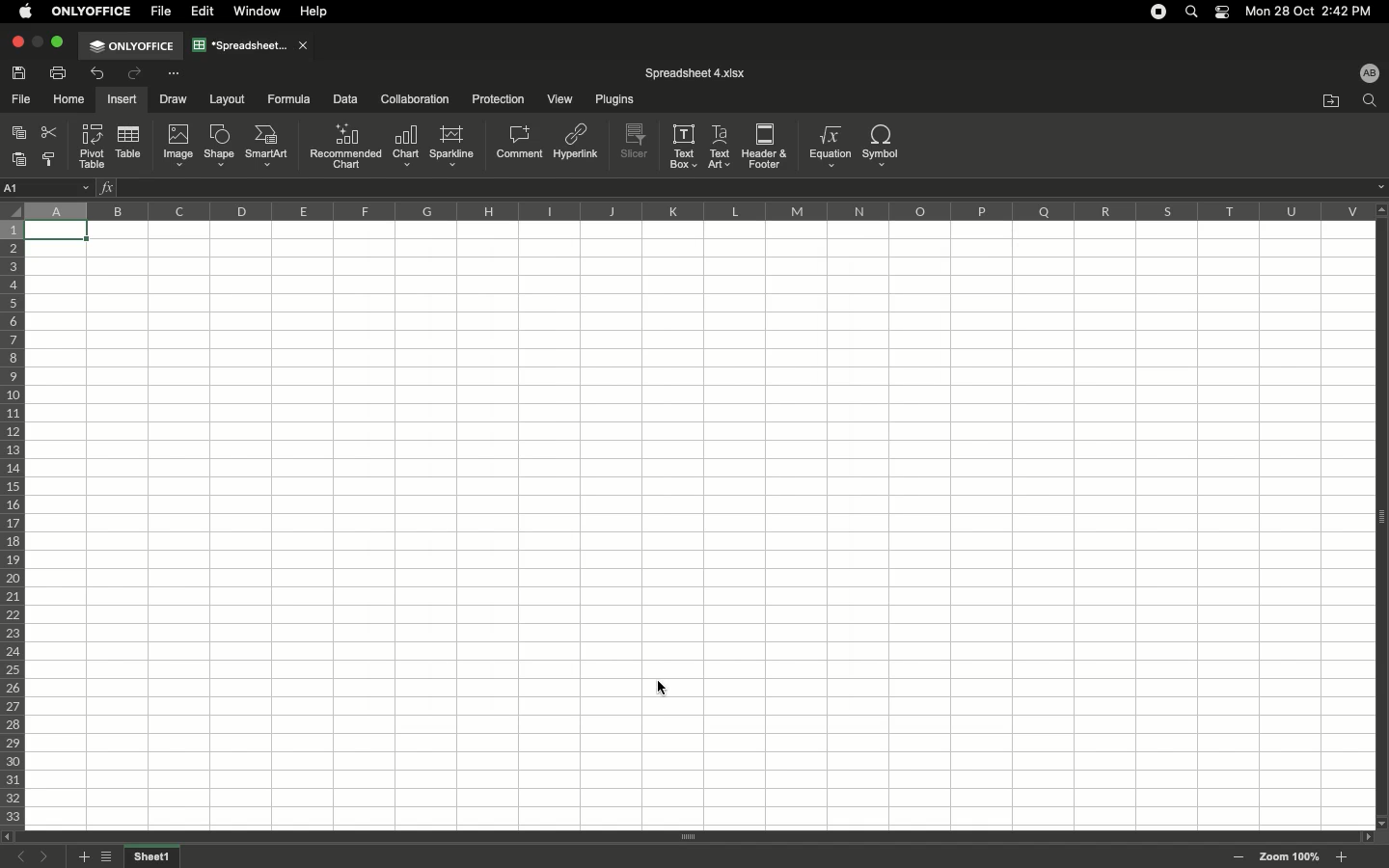  I want to click on Pivot table, so click(94, 146).